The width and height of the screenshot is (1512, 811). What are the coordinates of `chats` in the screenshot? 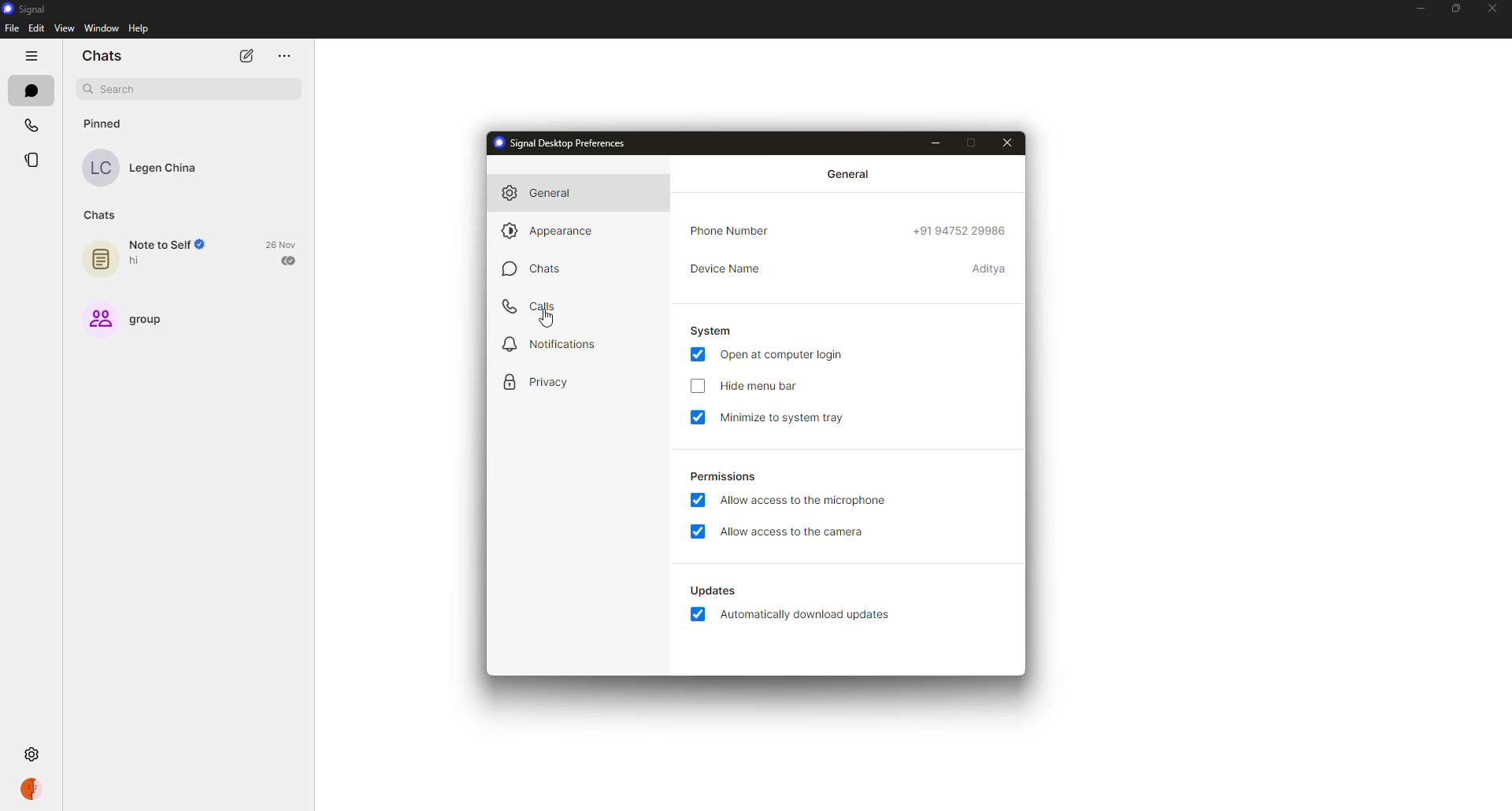 It's located at (540, 270).